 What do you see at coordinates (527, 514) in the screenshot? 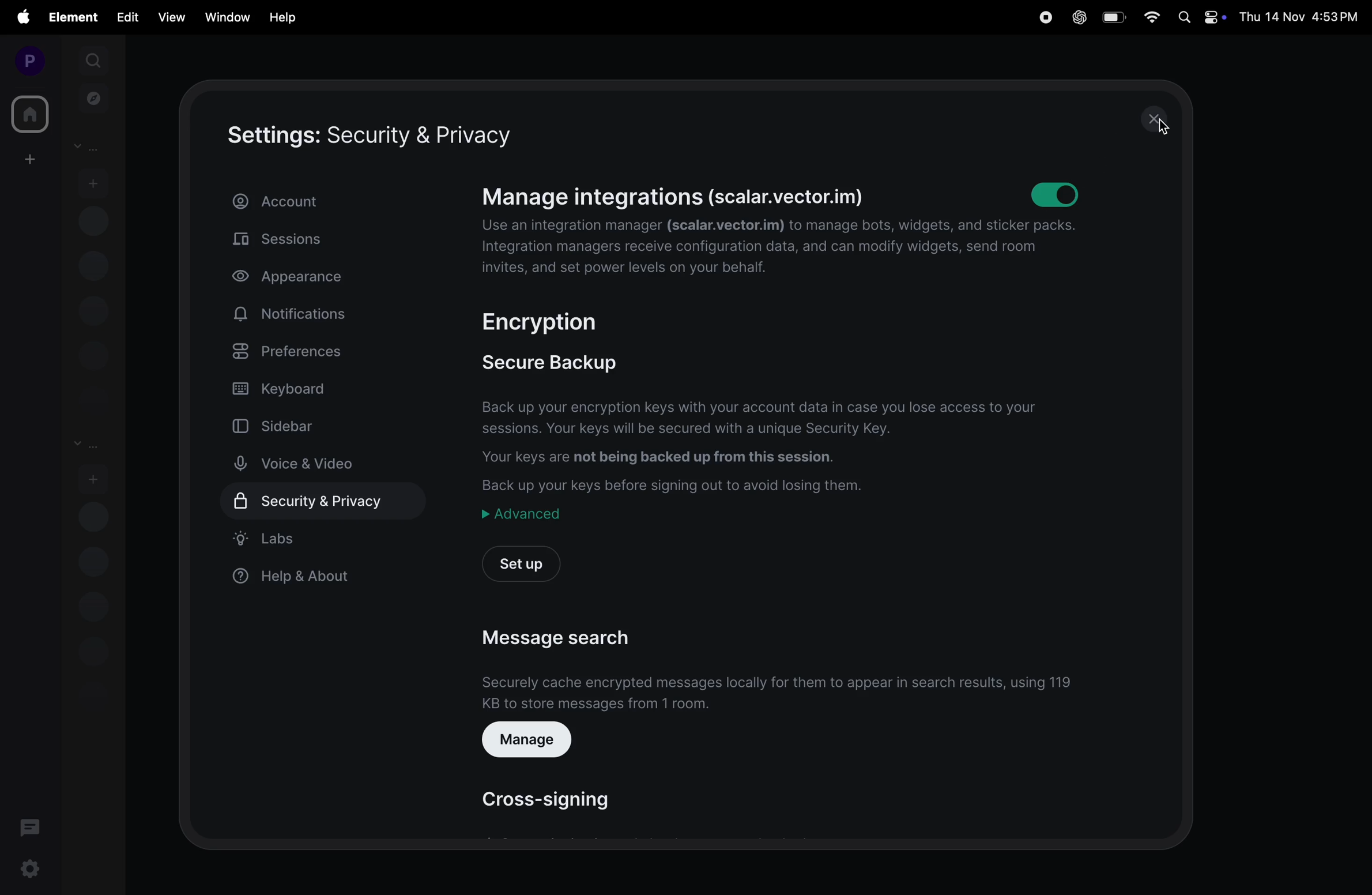
I see `advanced` at bounding box center [527, 514].